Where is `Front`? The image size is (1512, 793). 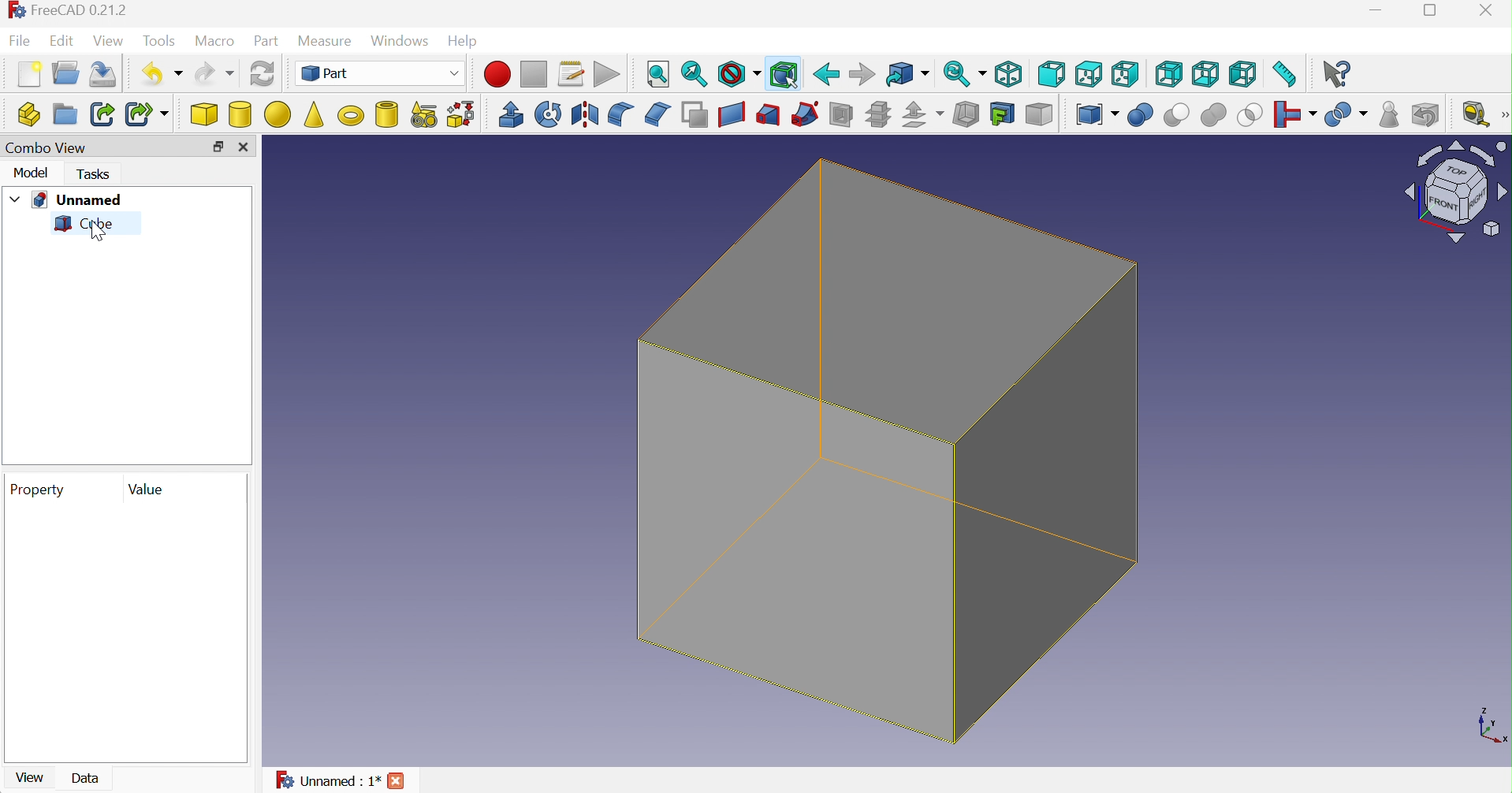
Front is located at coordinates (1052, 73).